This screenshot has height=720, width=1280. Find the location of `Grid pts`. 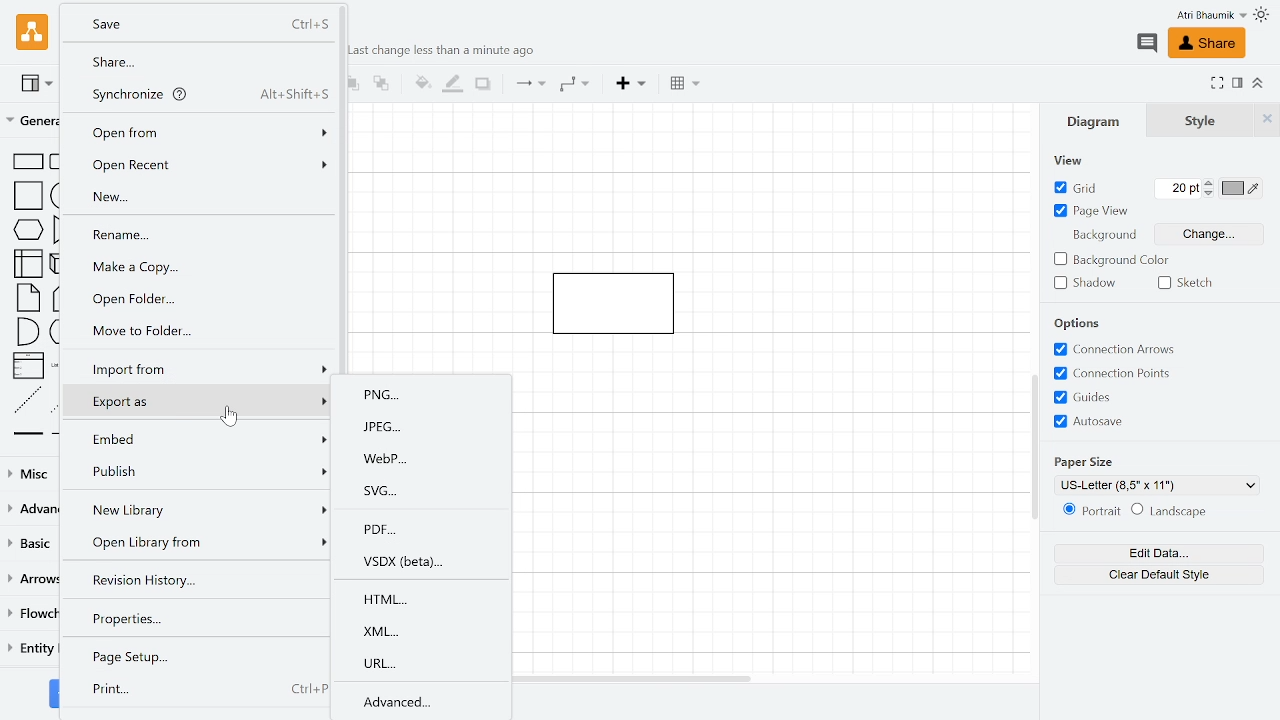

Grid pts is located at coordinates (1179, 189).